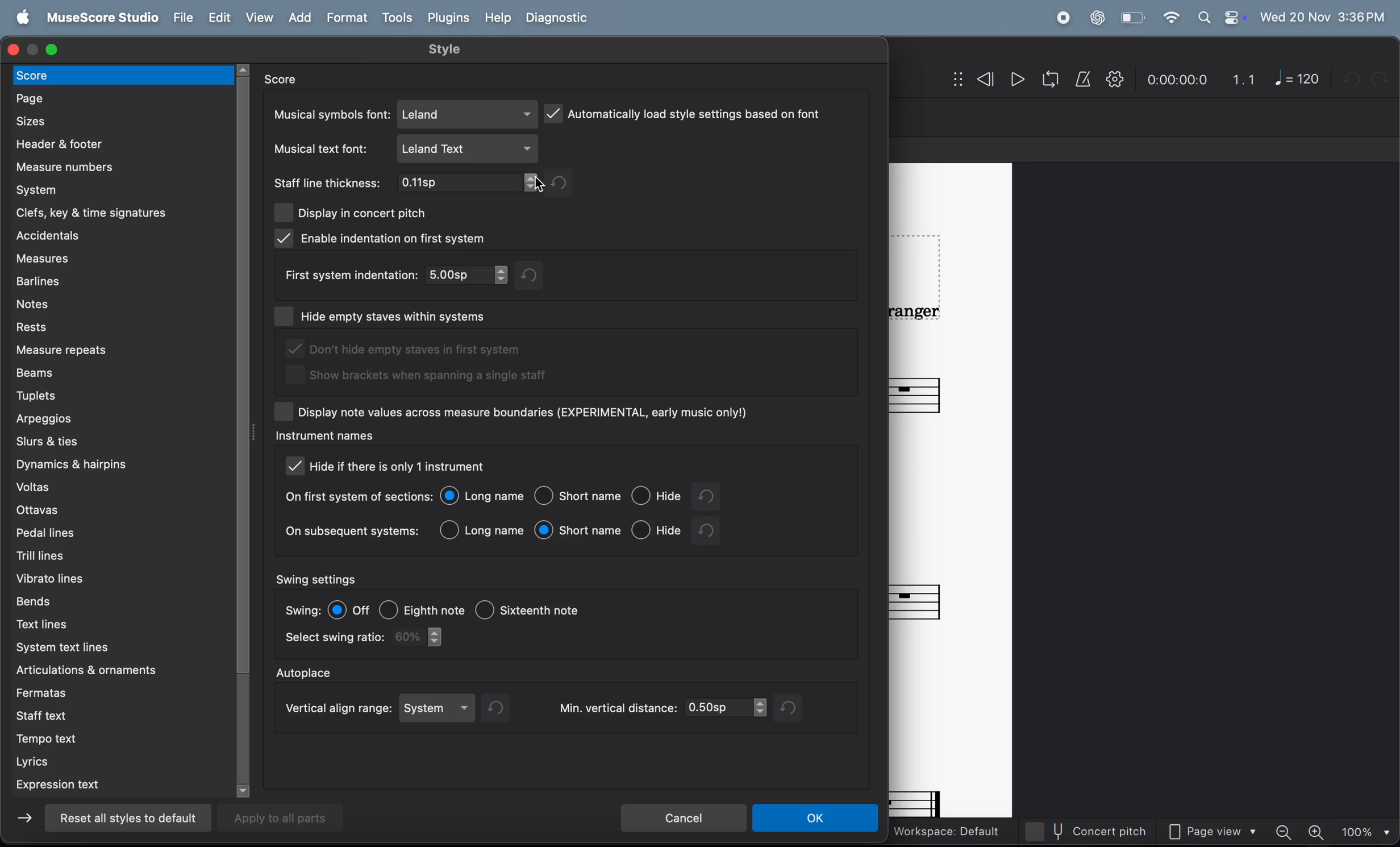 The image size is (1400, 847). I want to click on on first system of actions, so click(357, 497).